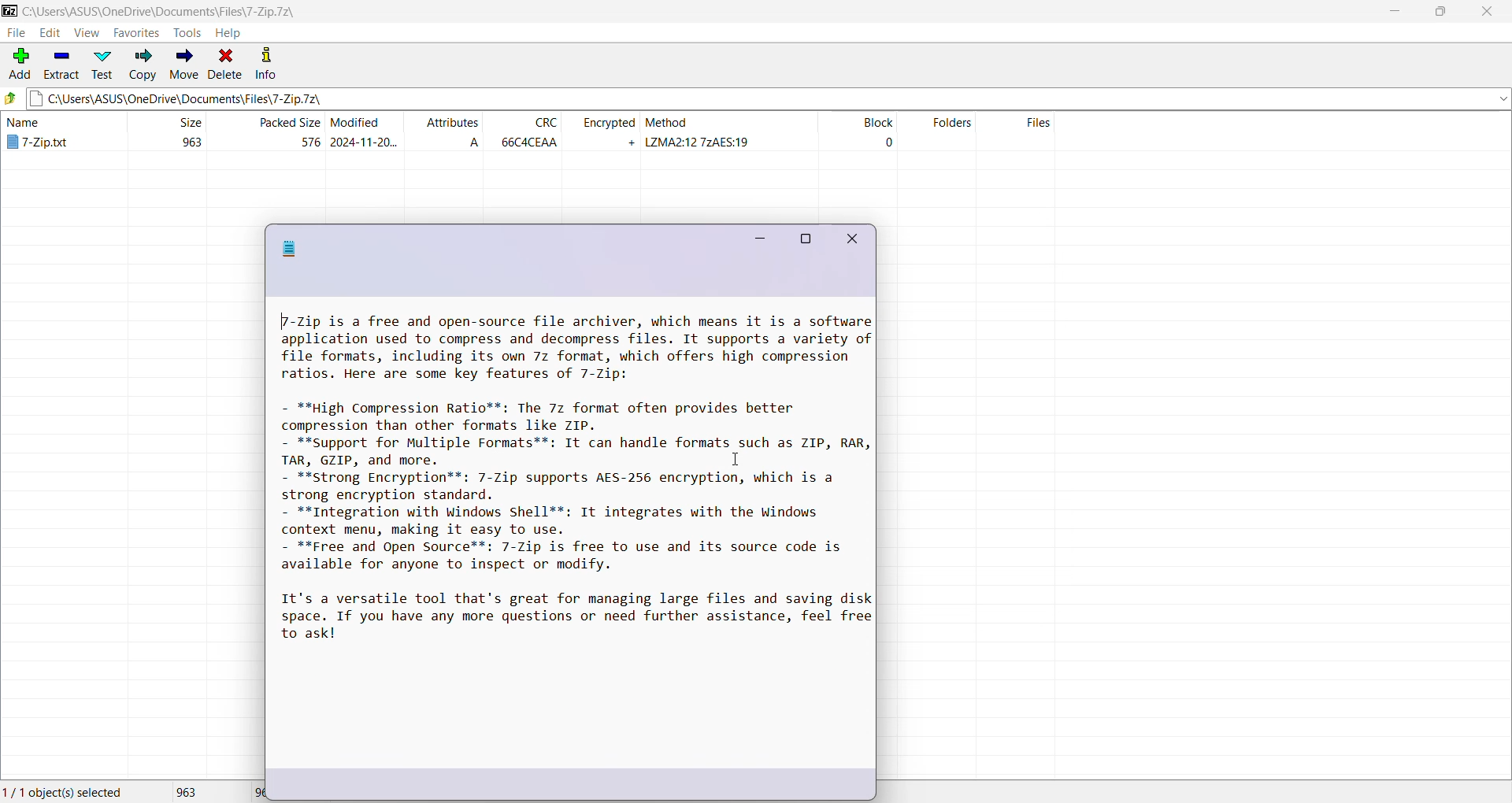 The image size is (1512, 803). Describe the element at coordinates (242, 9) in the screenshot. I see `Current Folder Path` at that location.